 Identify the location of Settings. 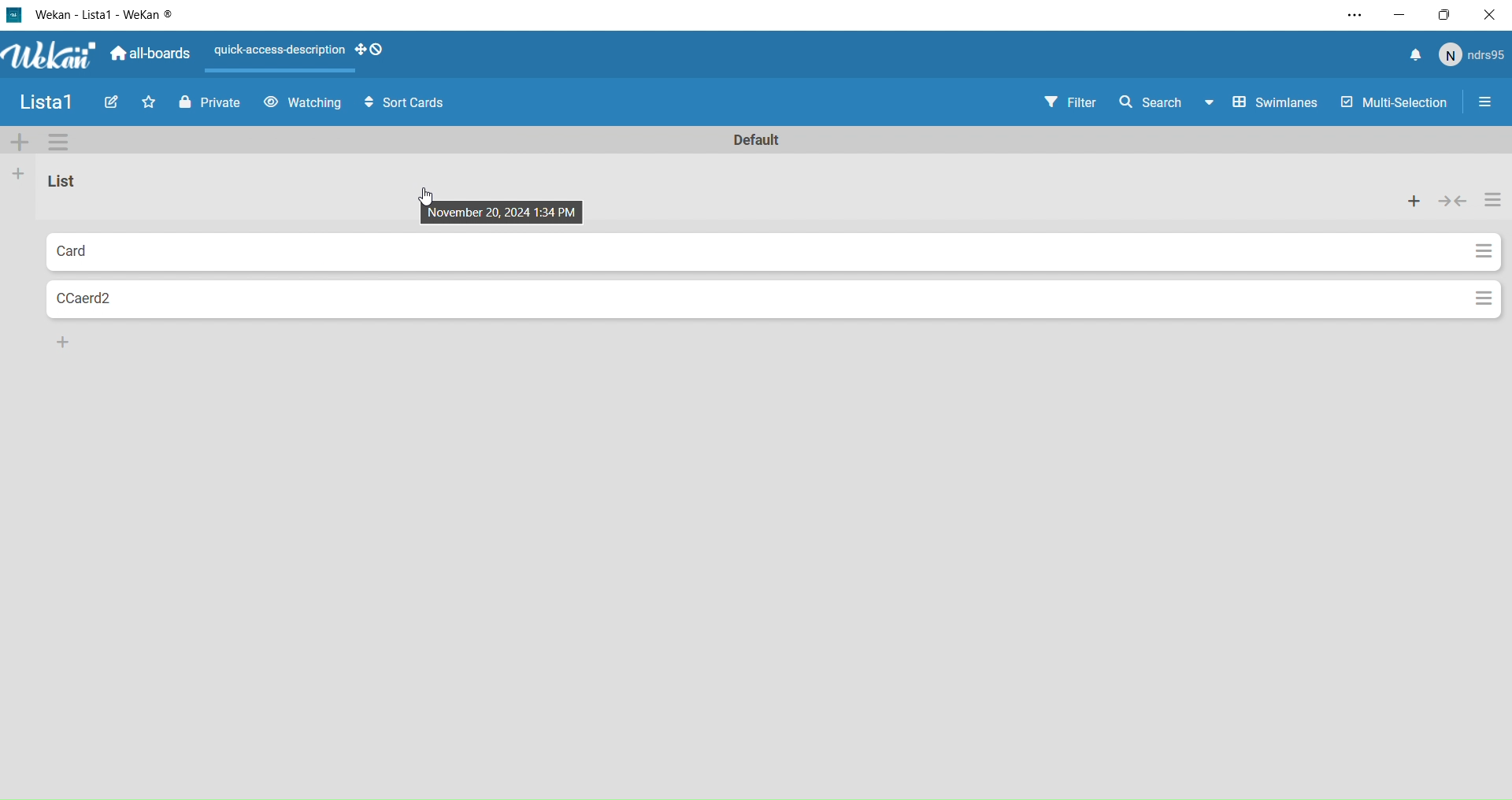
(58, 142).